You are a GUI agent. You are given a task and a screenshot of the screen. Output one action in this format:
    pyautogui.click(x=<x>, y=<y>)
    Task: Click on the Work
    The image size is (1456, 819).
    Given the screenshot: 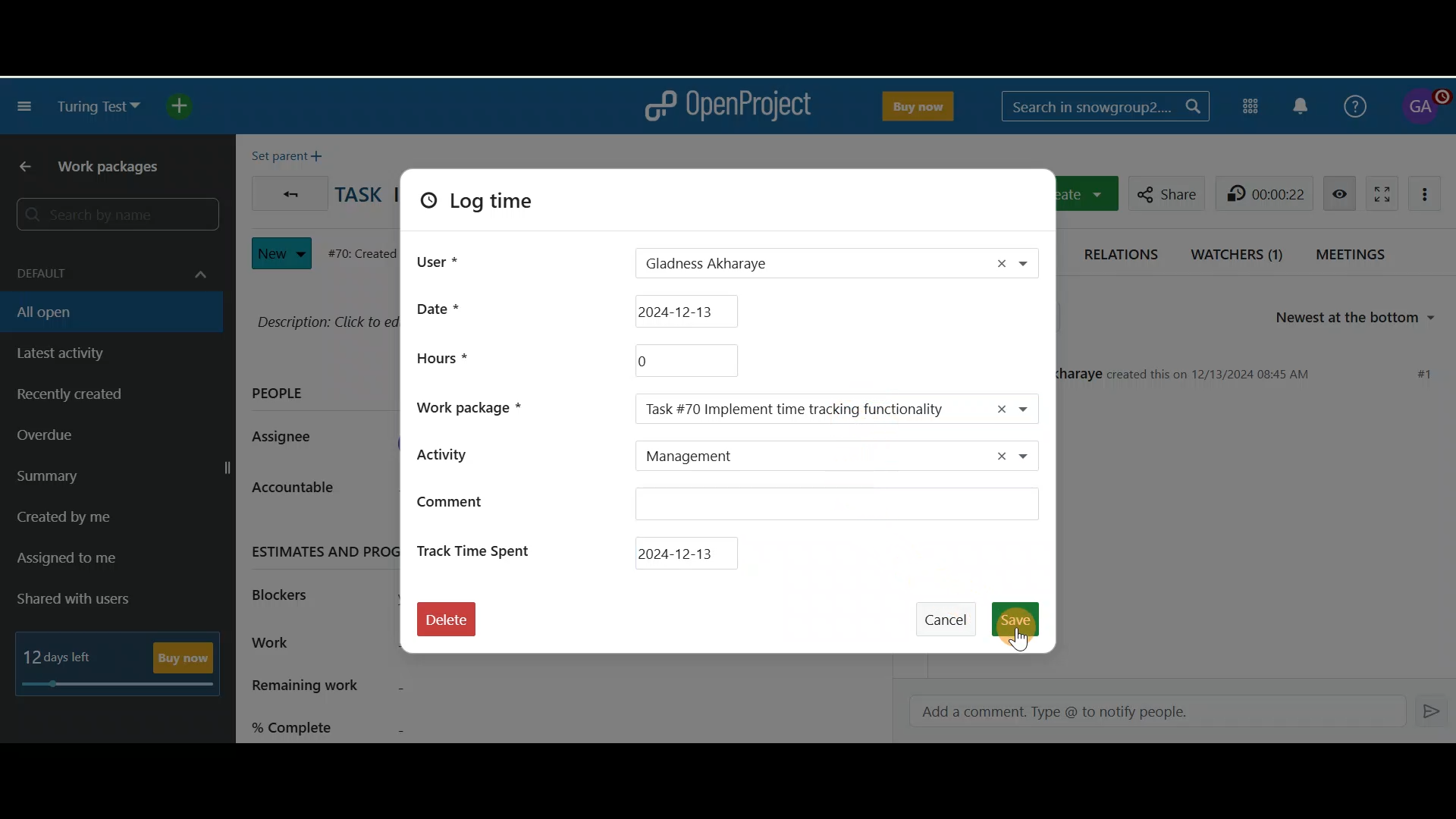 What is the action you would take?
    pyautogui.click(x=315, y=645)
    